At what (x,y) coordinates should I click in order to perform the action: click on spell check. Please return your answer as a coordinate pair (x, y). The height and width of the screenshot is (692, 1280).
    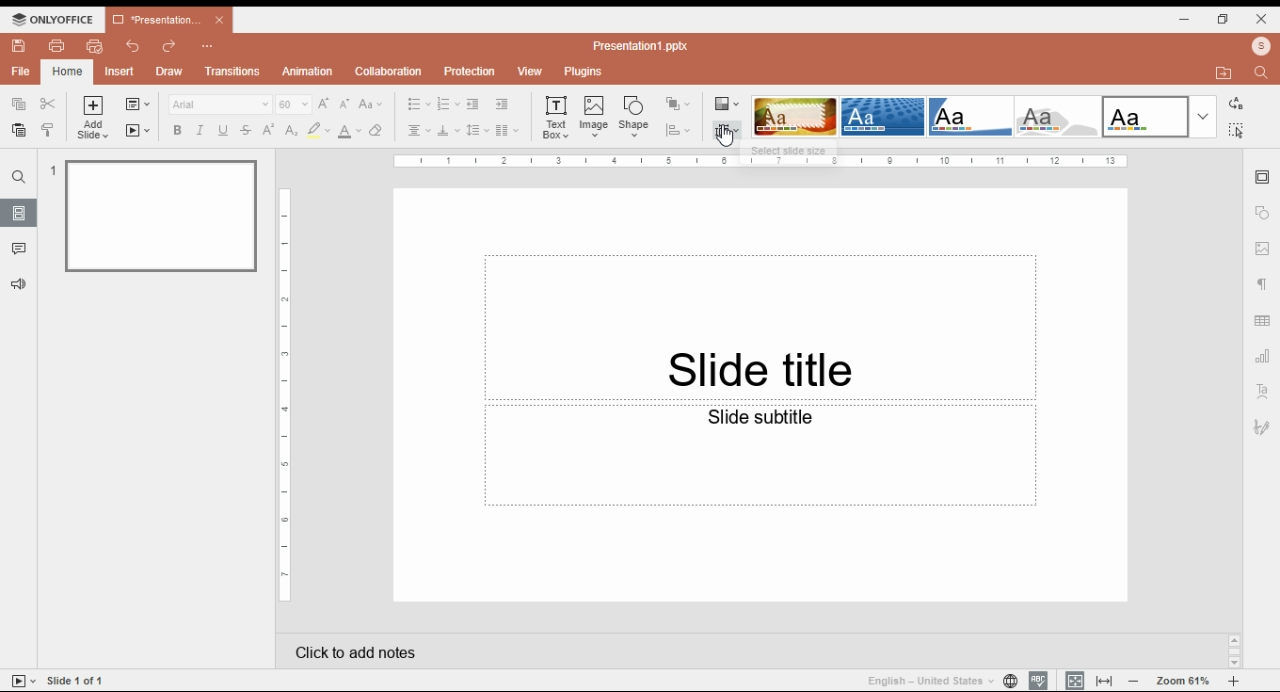
    Looking at the image, I should click on (1038, 680).